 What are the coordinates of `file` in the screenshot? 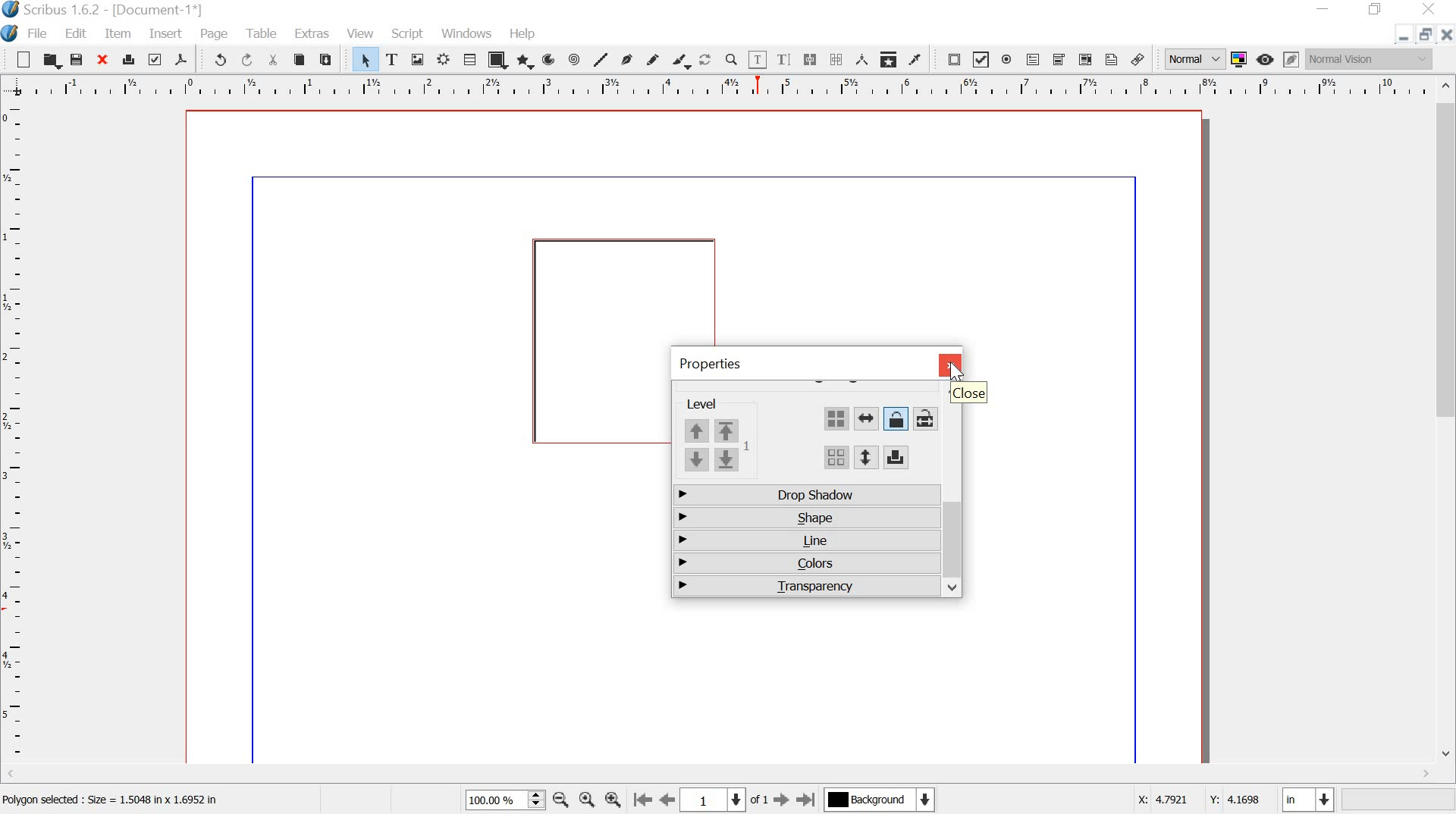 It's located at (38, 33).